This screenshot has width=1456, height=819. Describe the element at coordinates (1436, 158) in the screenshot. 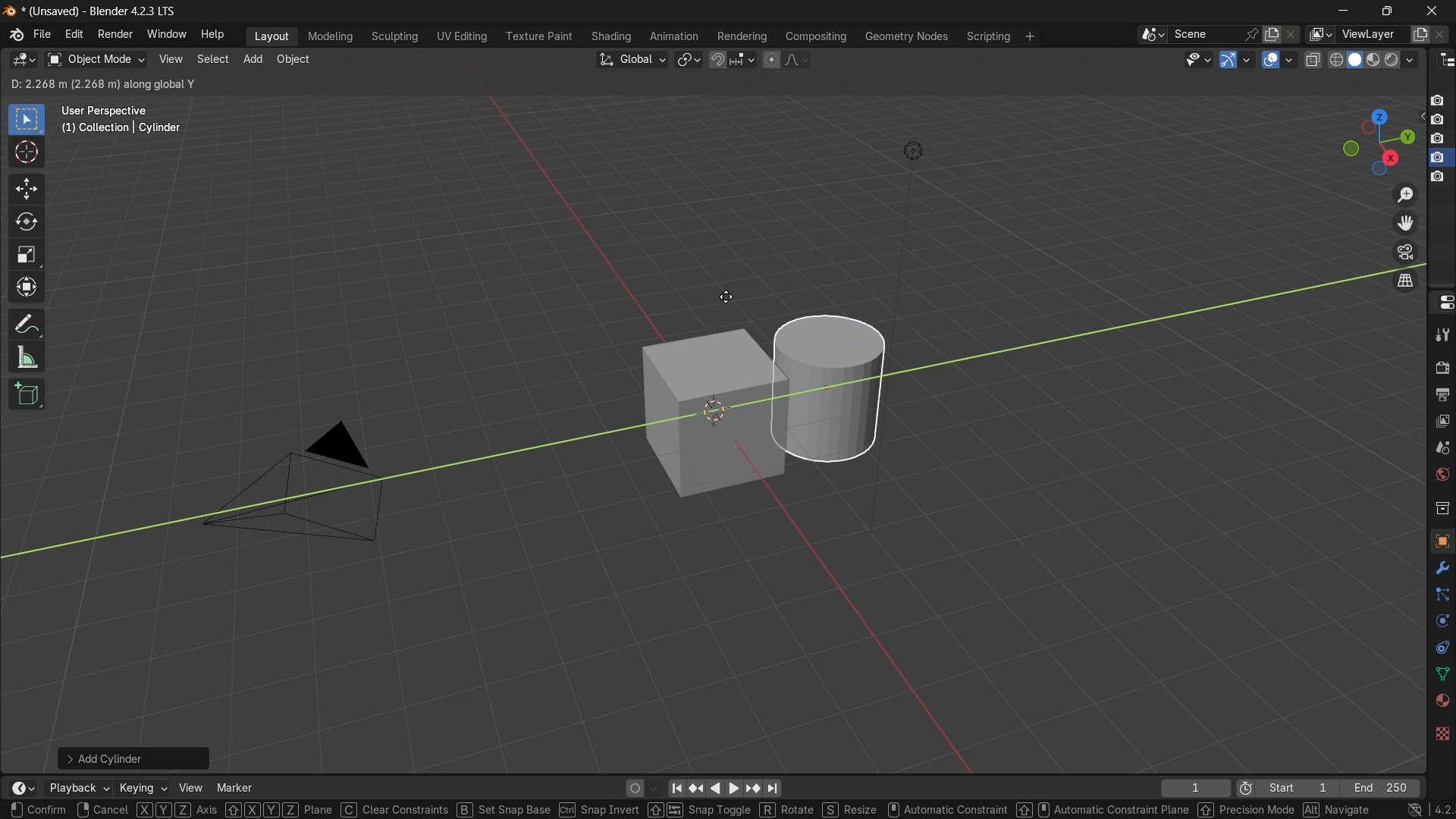

I see `capture` at that location.